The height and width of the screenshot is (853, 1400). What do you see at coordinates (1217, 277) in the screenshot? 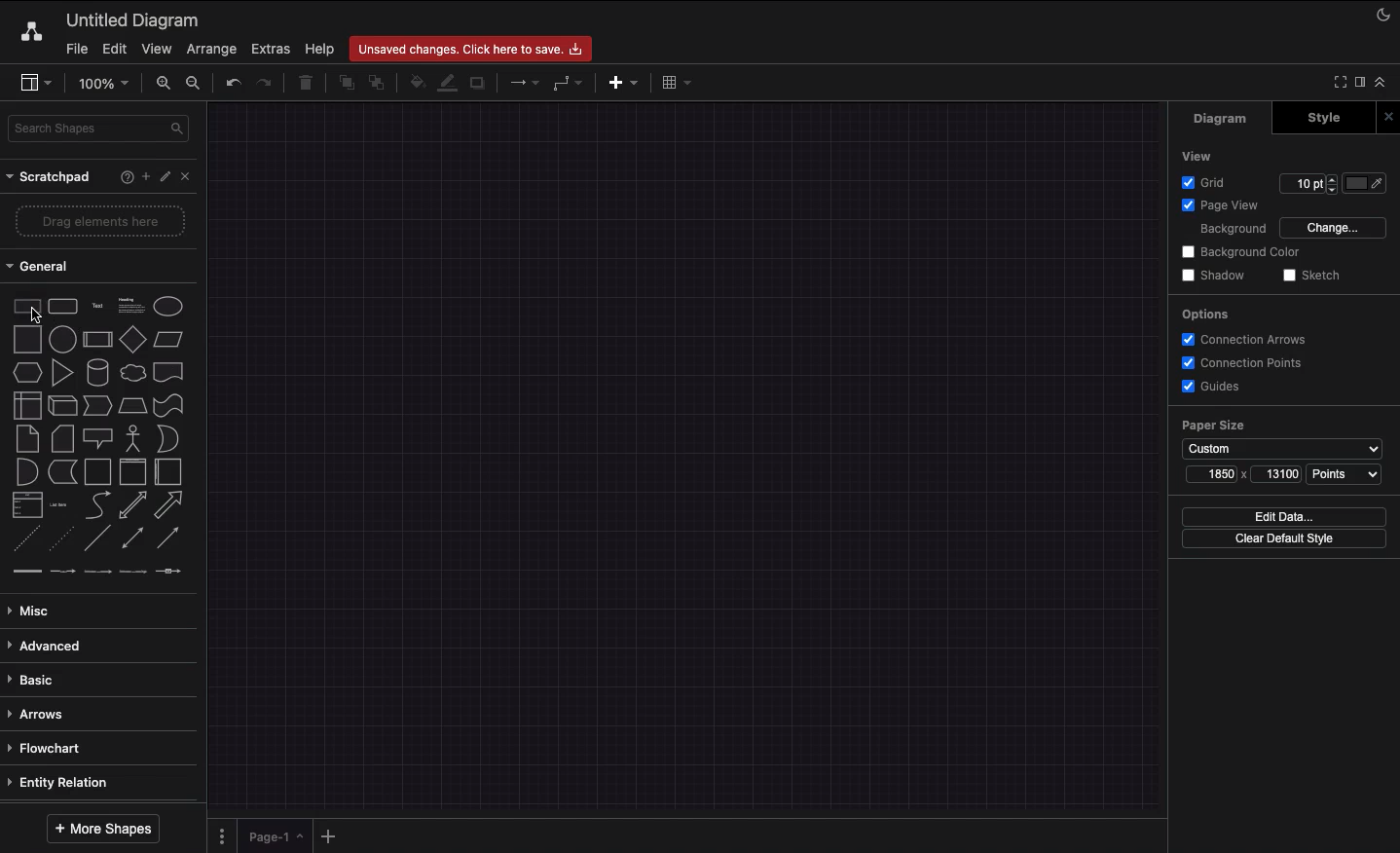
I see `Shadow` at bounding box center [1217, 277].